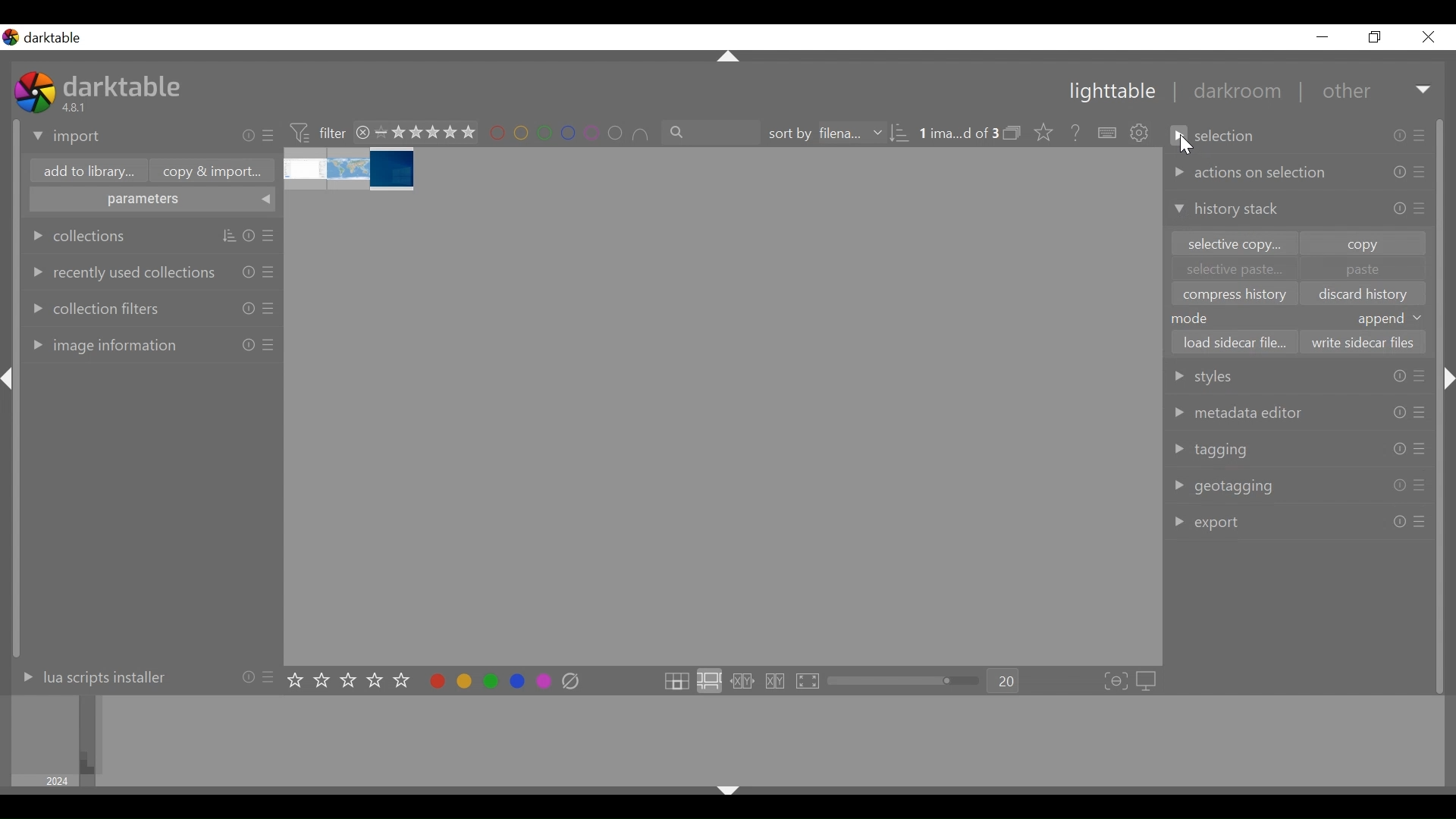 This screenshot has width=1456, height=819. I want to click on number of image selected, so click(958, 133).